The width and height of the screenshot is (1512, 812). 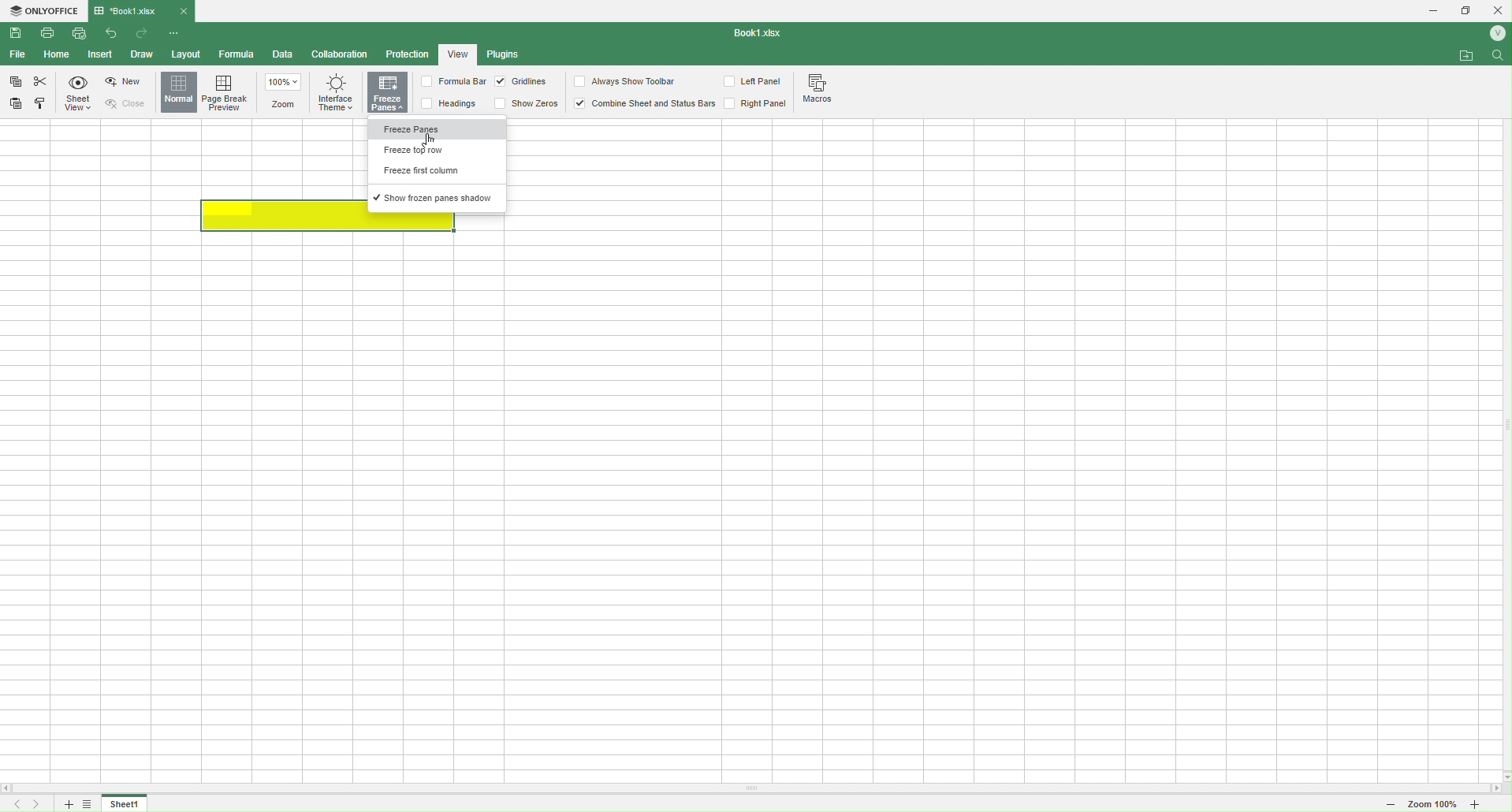 What do you see at coordinates (17, 54) in the screenshot?
I see `File` at bounding box center [17, 54].